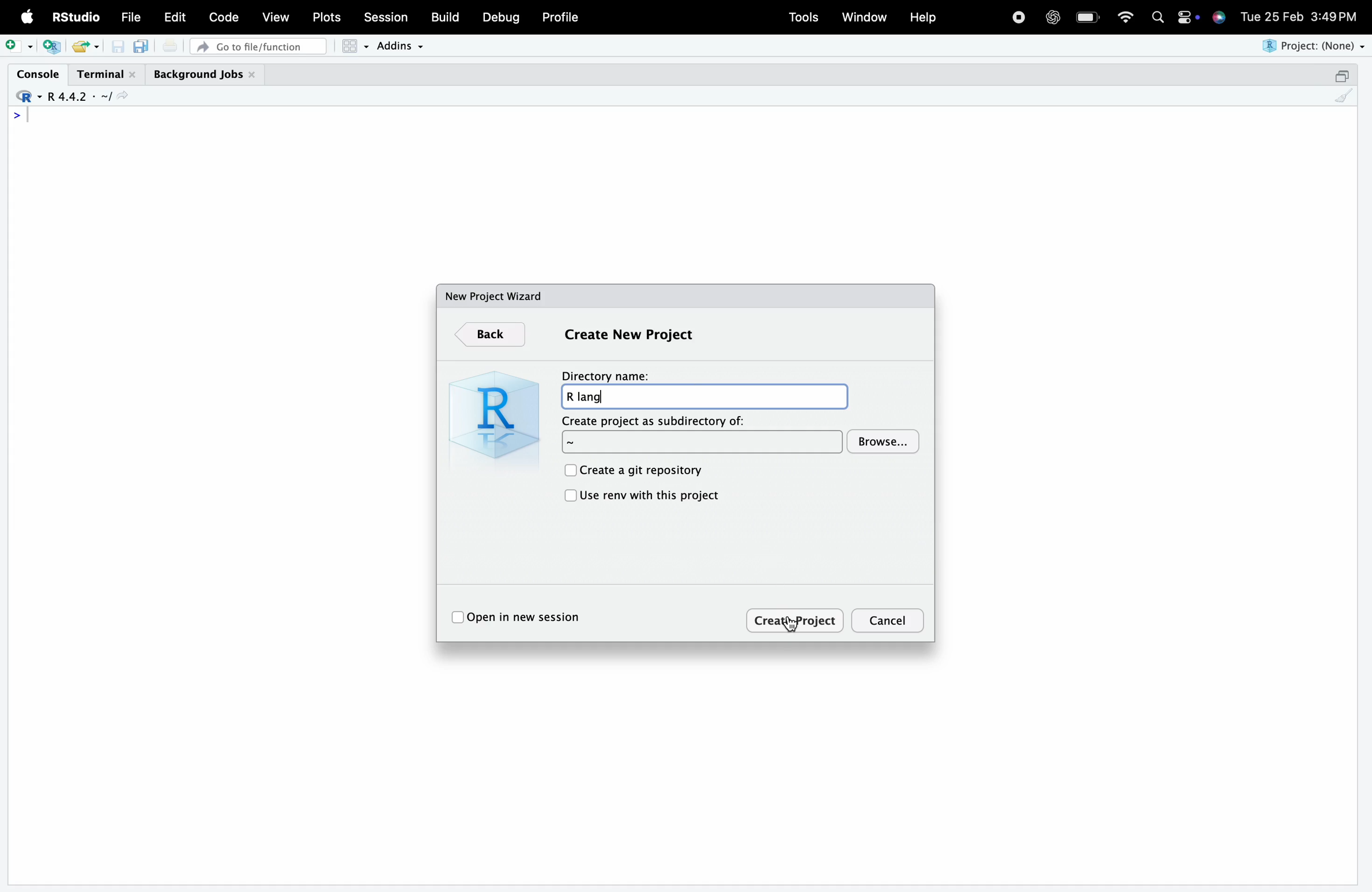 The image size is (1372, 892). I want to click on checkbox, so click(569, 497).